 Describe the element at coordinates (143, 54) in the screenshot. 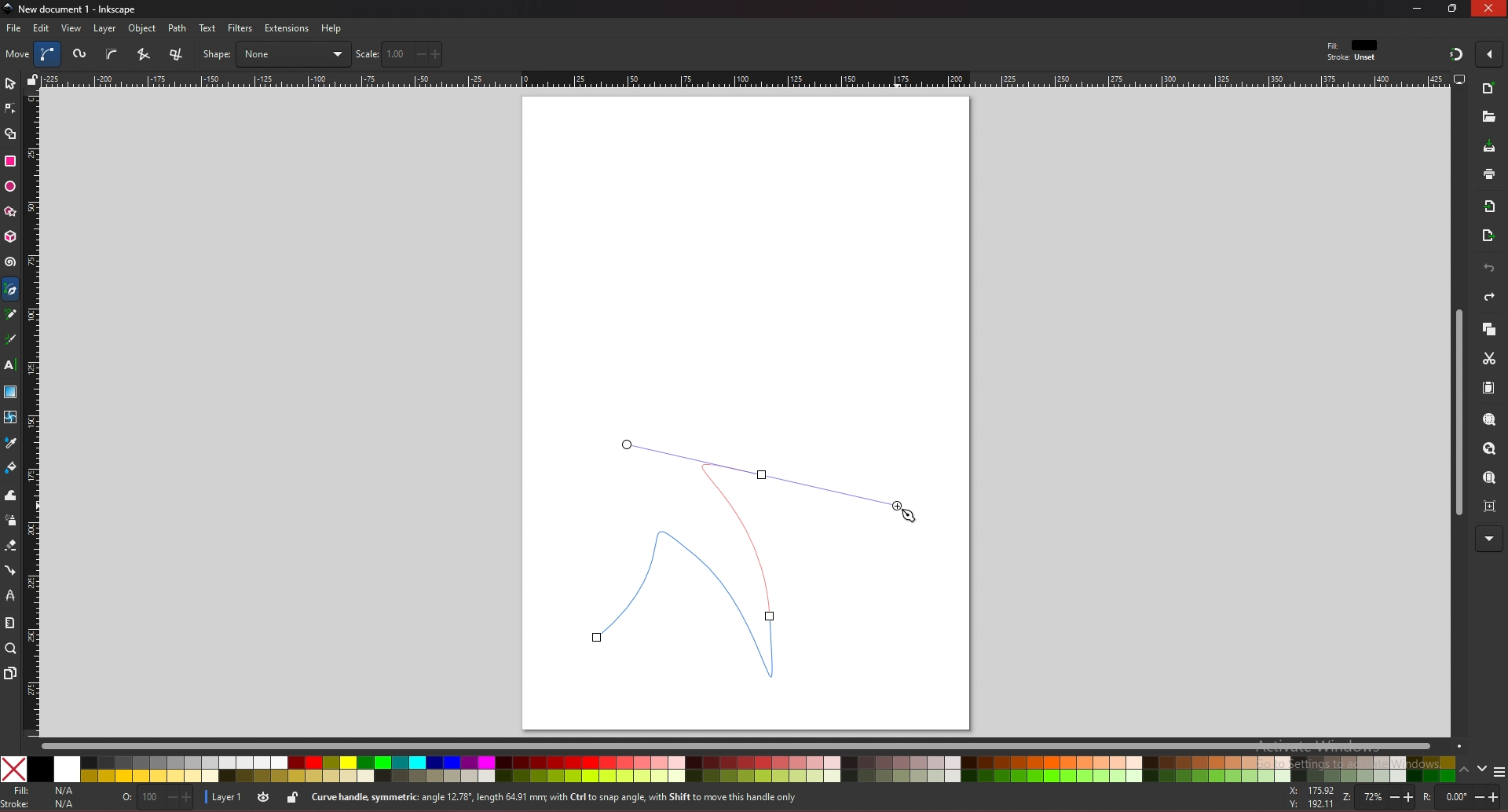

I see `squence of straight line segments` at that location.